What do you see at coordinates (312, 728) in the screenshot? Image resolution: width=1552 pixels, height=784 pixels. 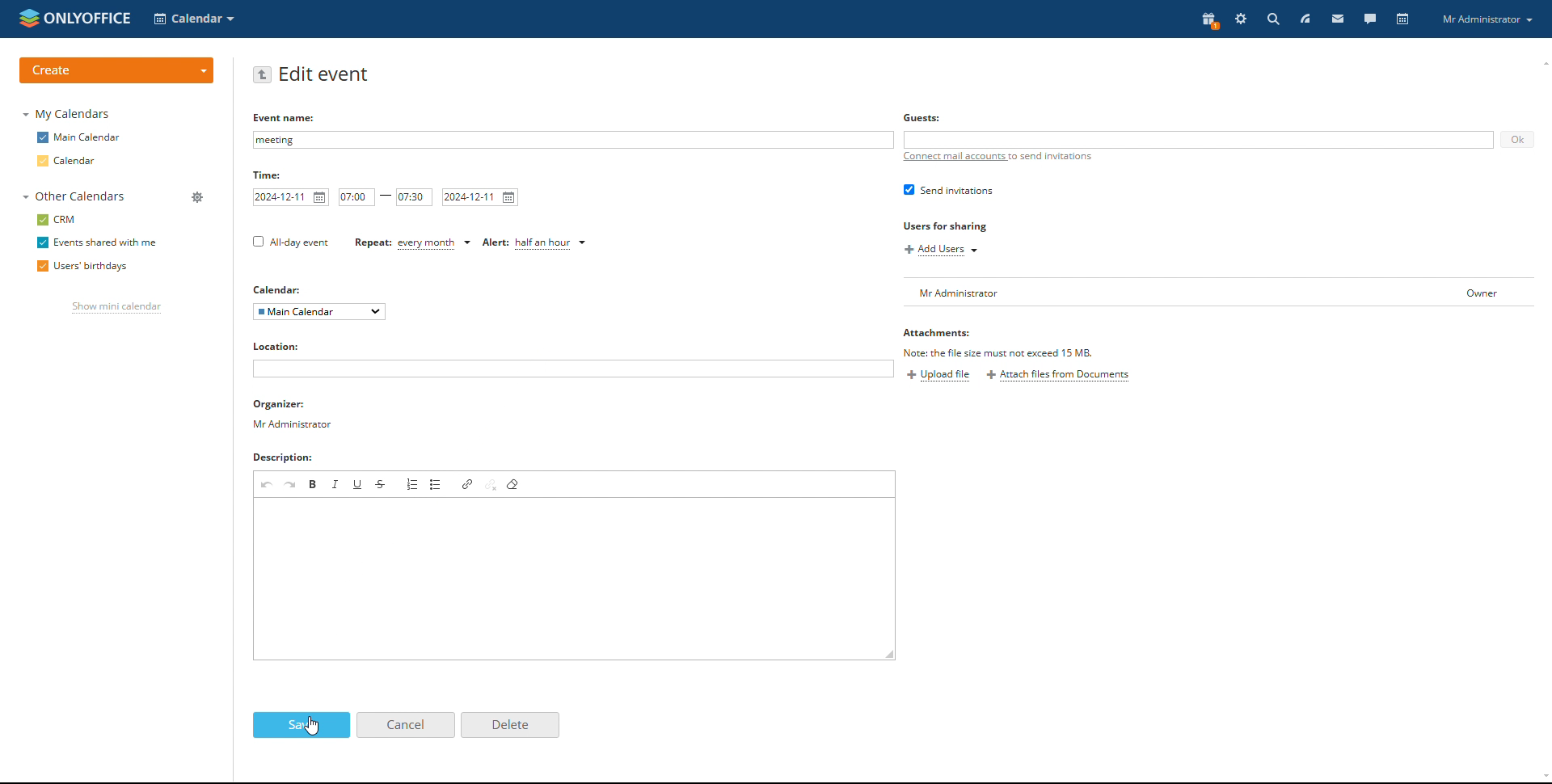 I see `cursor` at bounding box center [312, 728].